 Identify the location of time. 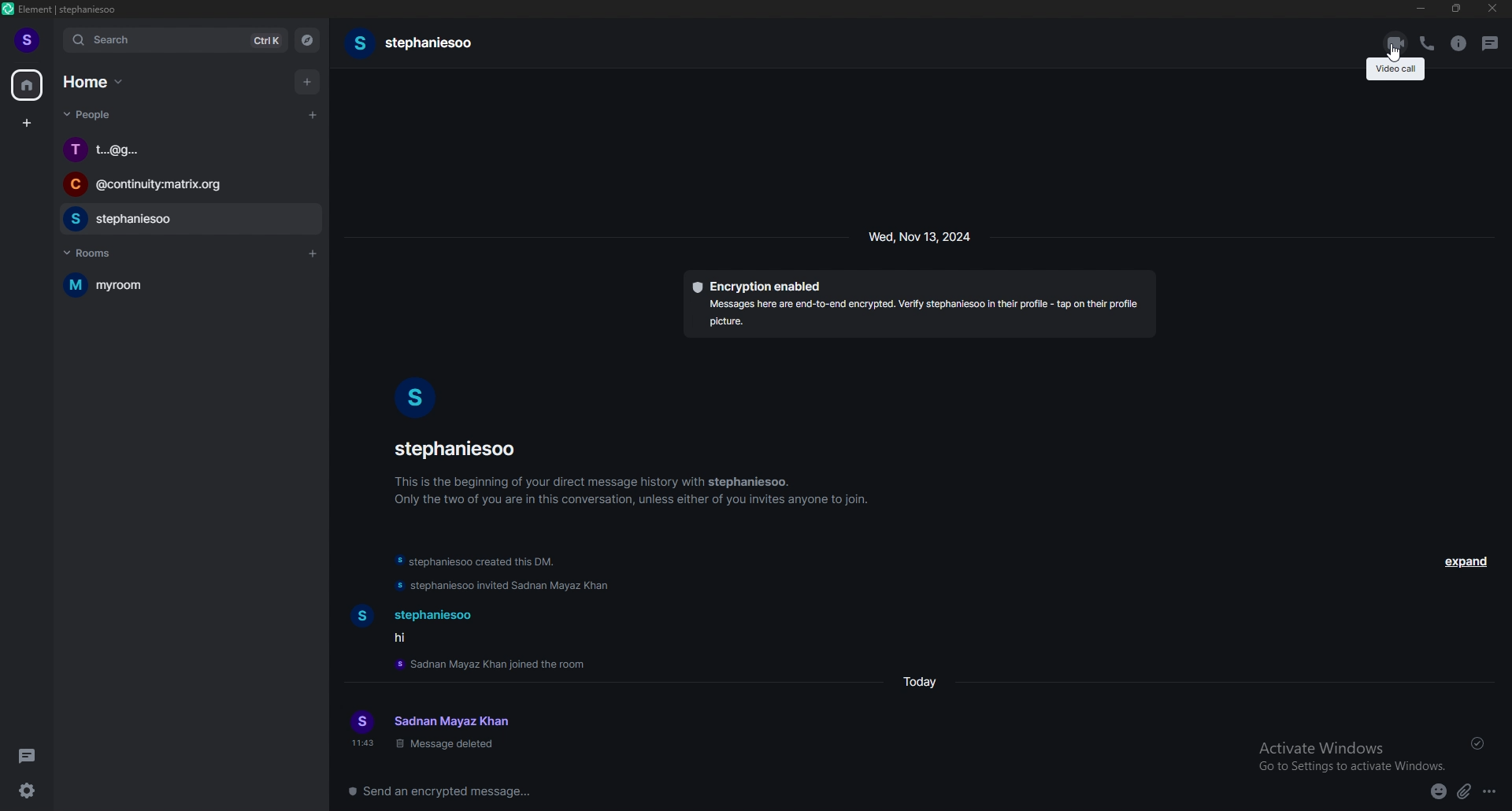
(360, 742).